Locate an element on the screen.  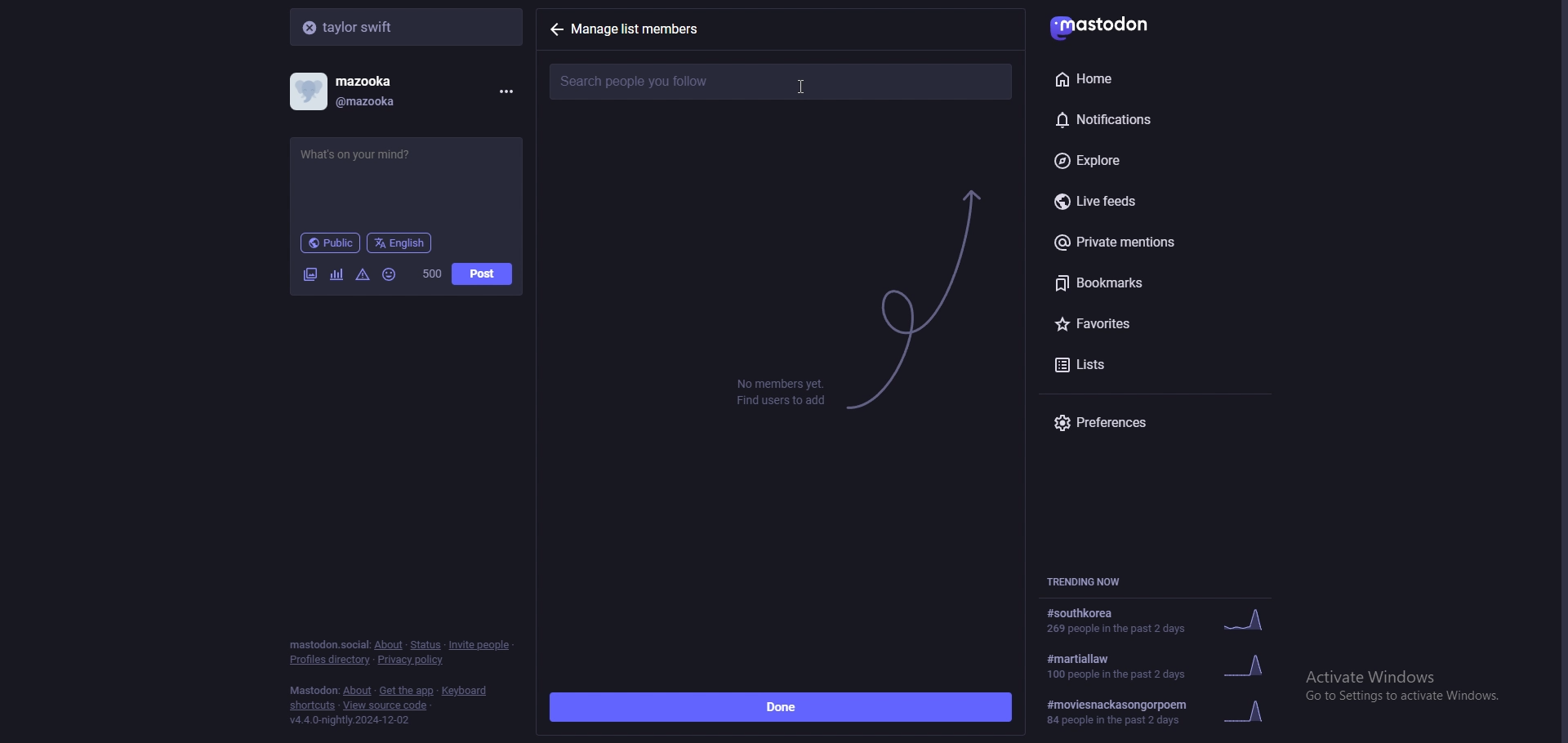
lists is located at coordinates (1118, 363).